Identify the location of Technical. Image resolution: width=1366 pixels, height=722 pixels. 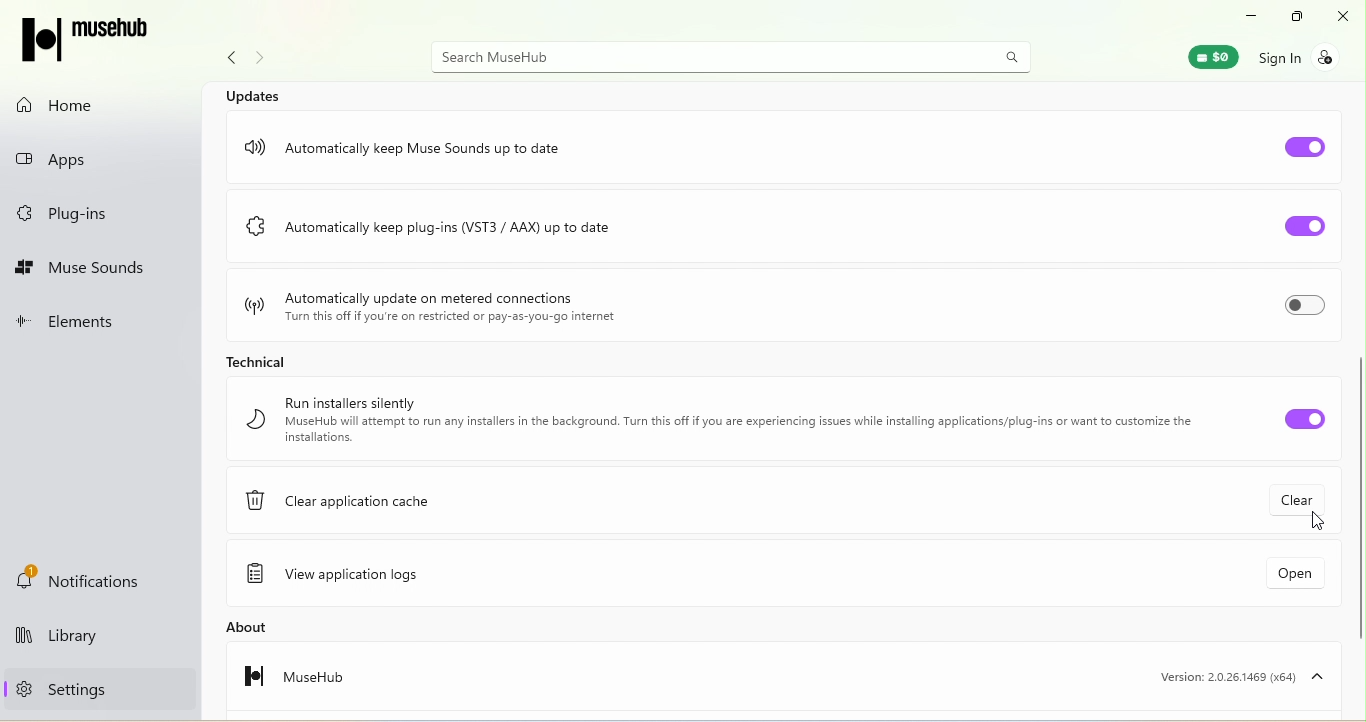
(252, 359).